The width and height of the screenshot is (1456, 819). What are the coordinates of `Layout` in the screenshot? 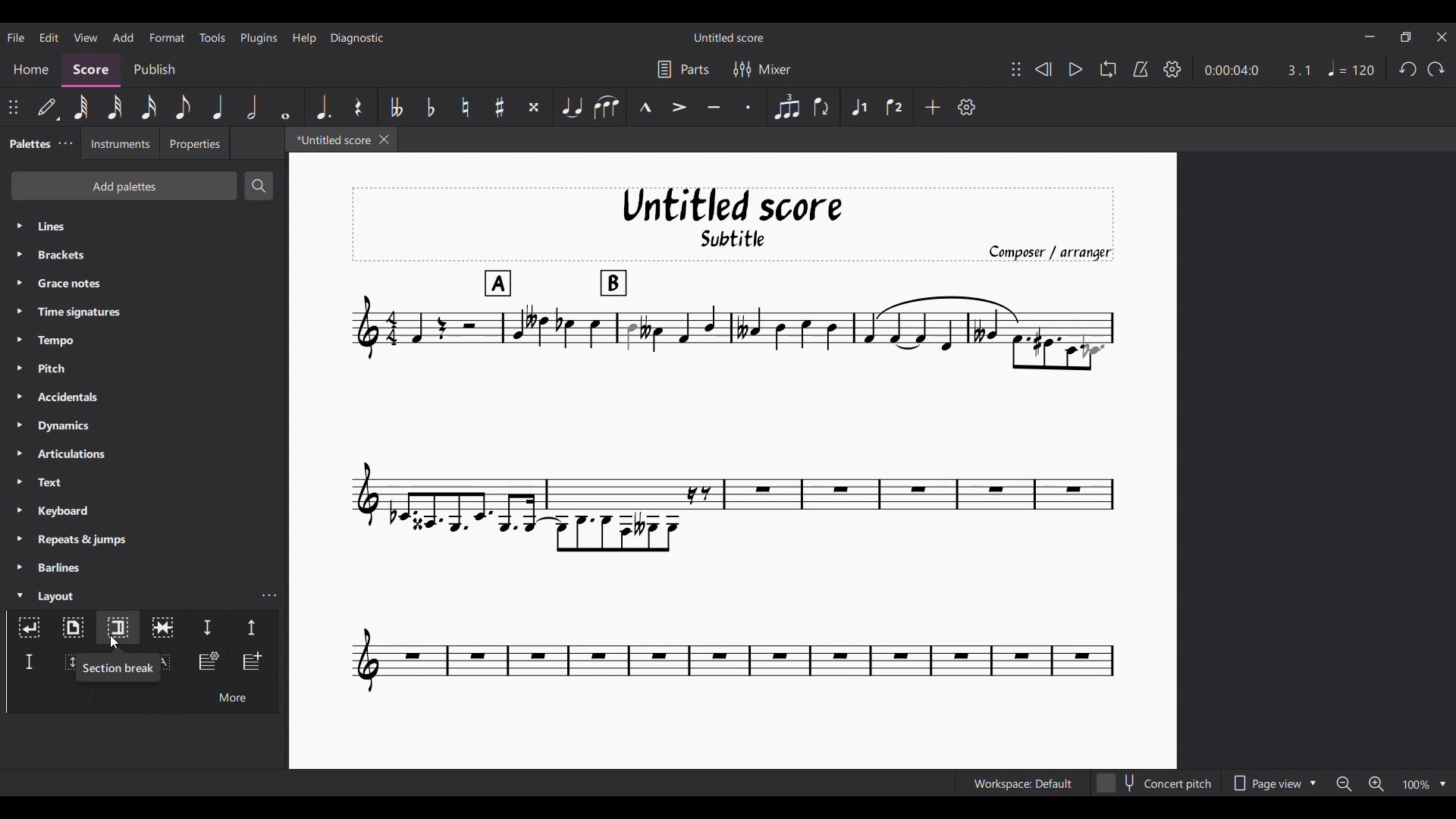 It's located at (129, 595).